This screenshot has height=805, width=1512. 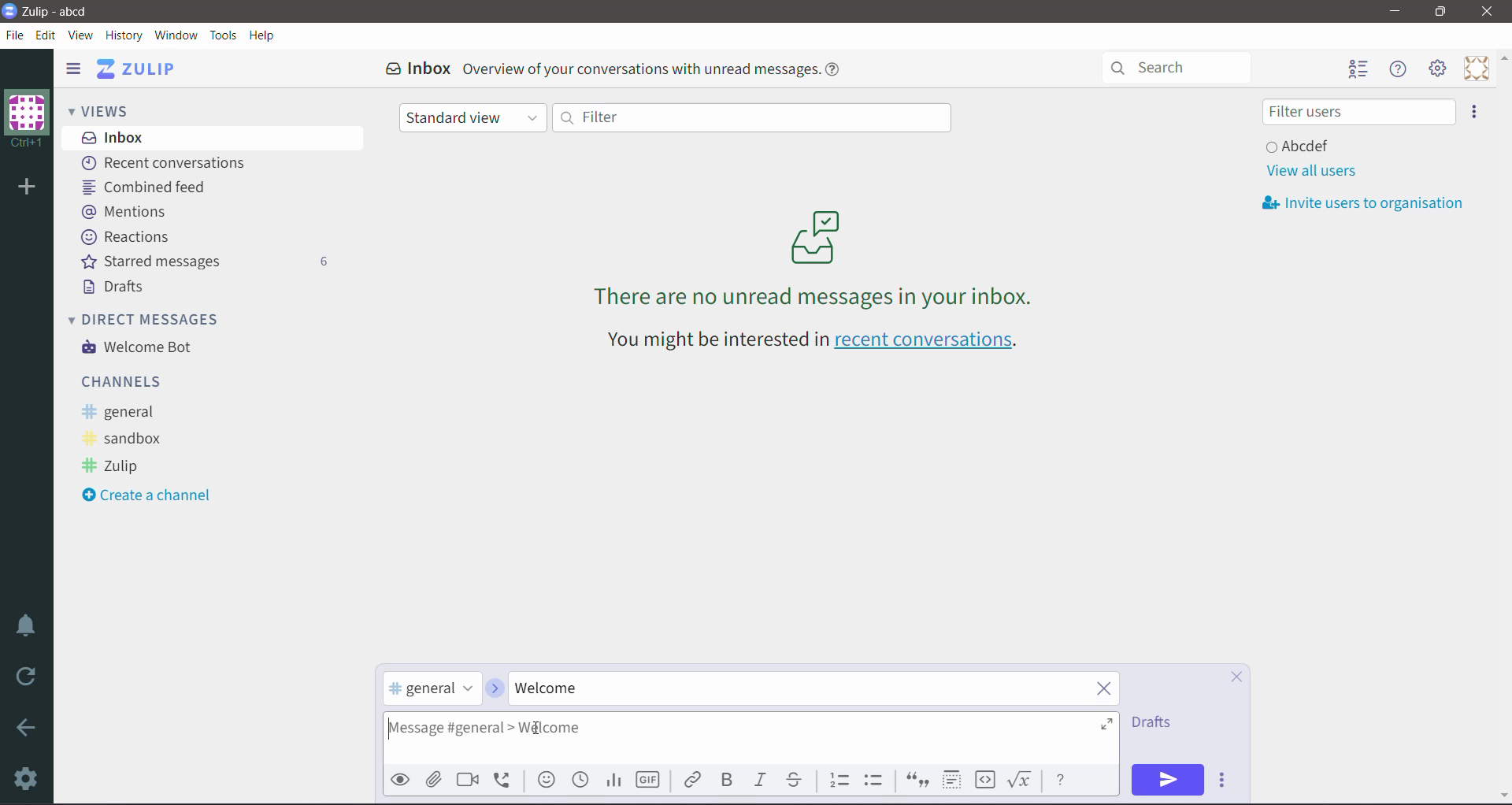 What do you see at coordinates (951, 781) in the screenshot?
I see `Spoiler` at bounding box center [951, 781].